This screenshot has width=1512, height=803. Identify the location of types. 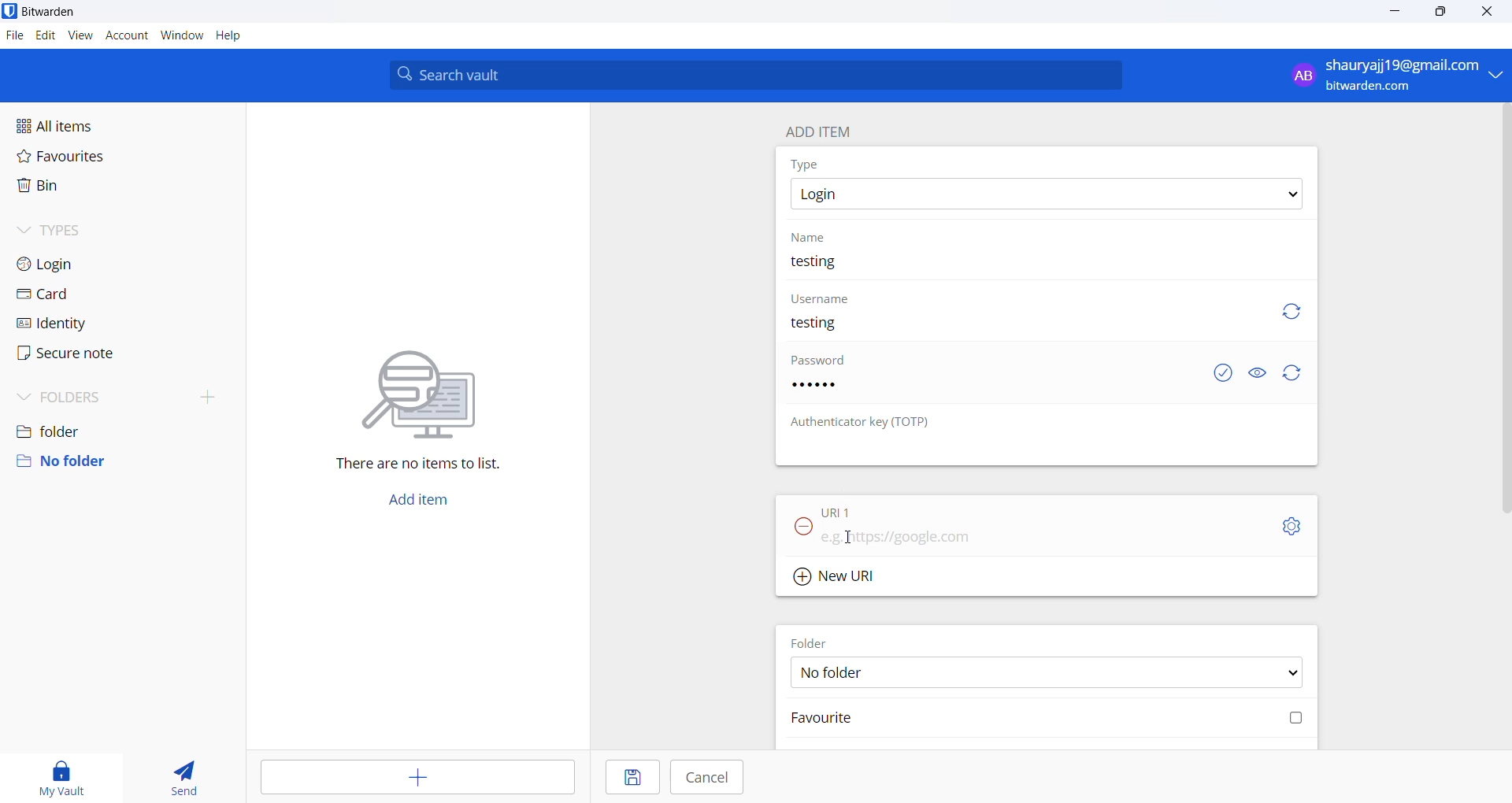
(87, 231).